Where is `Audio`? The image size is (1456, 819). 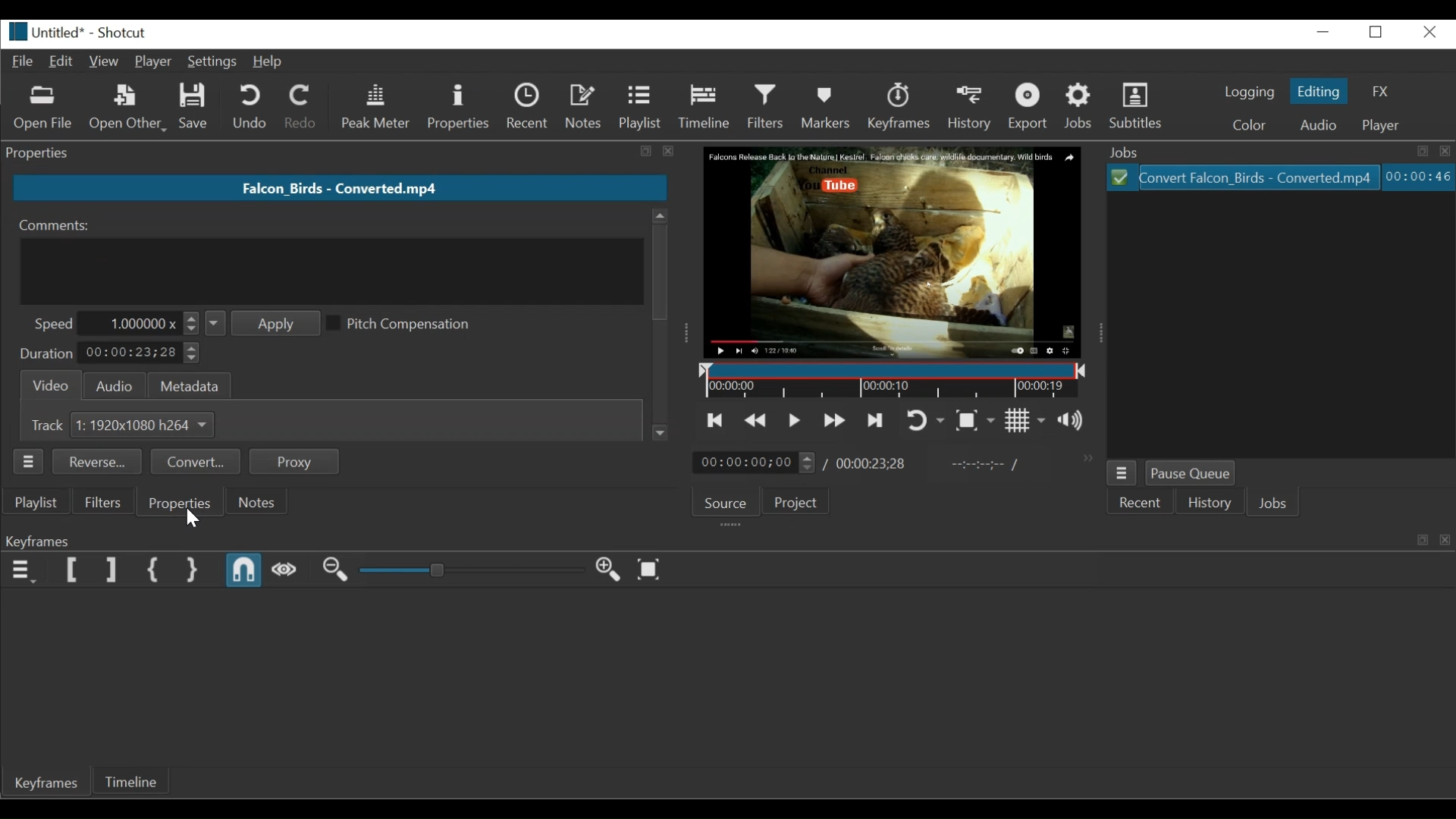
Audio is located at coordinates (1318, 126).